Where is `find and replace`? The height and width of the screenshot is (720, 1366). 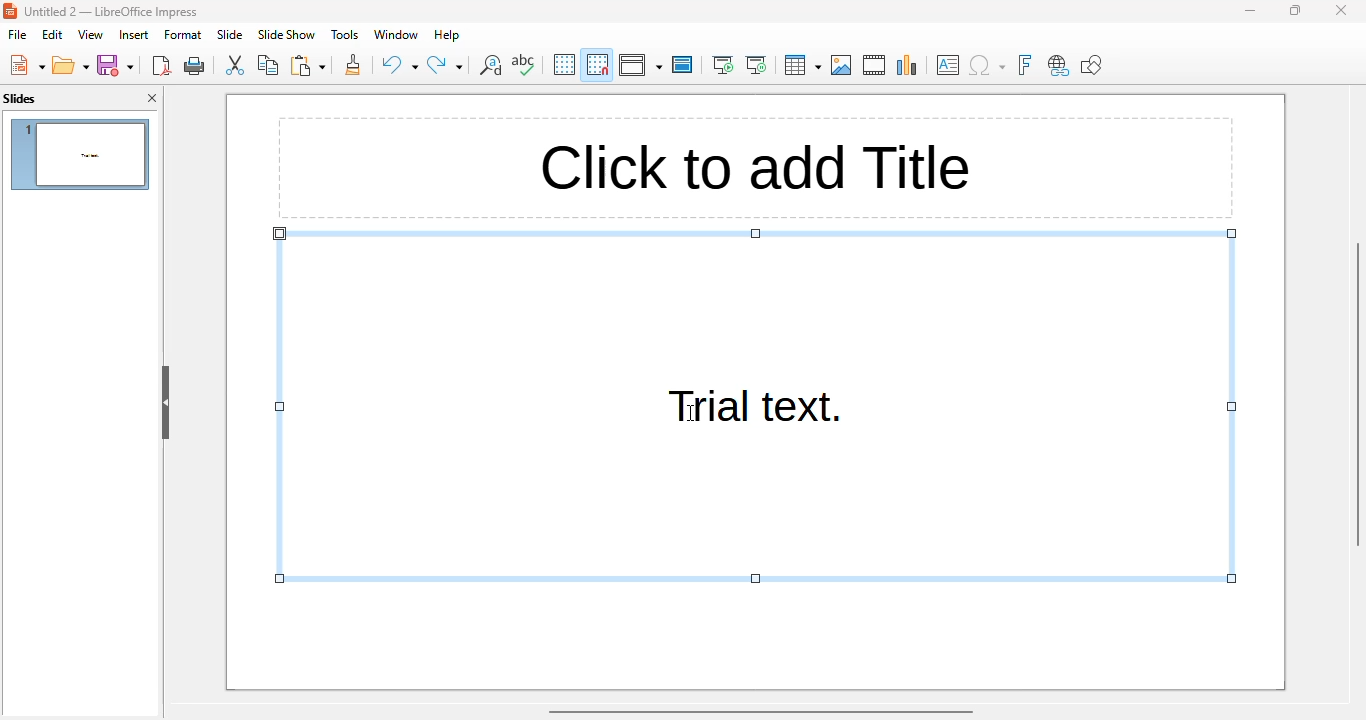
find and replace is located at coordinates (489, 65).